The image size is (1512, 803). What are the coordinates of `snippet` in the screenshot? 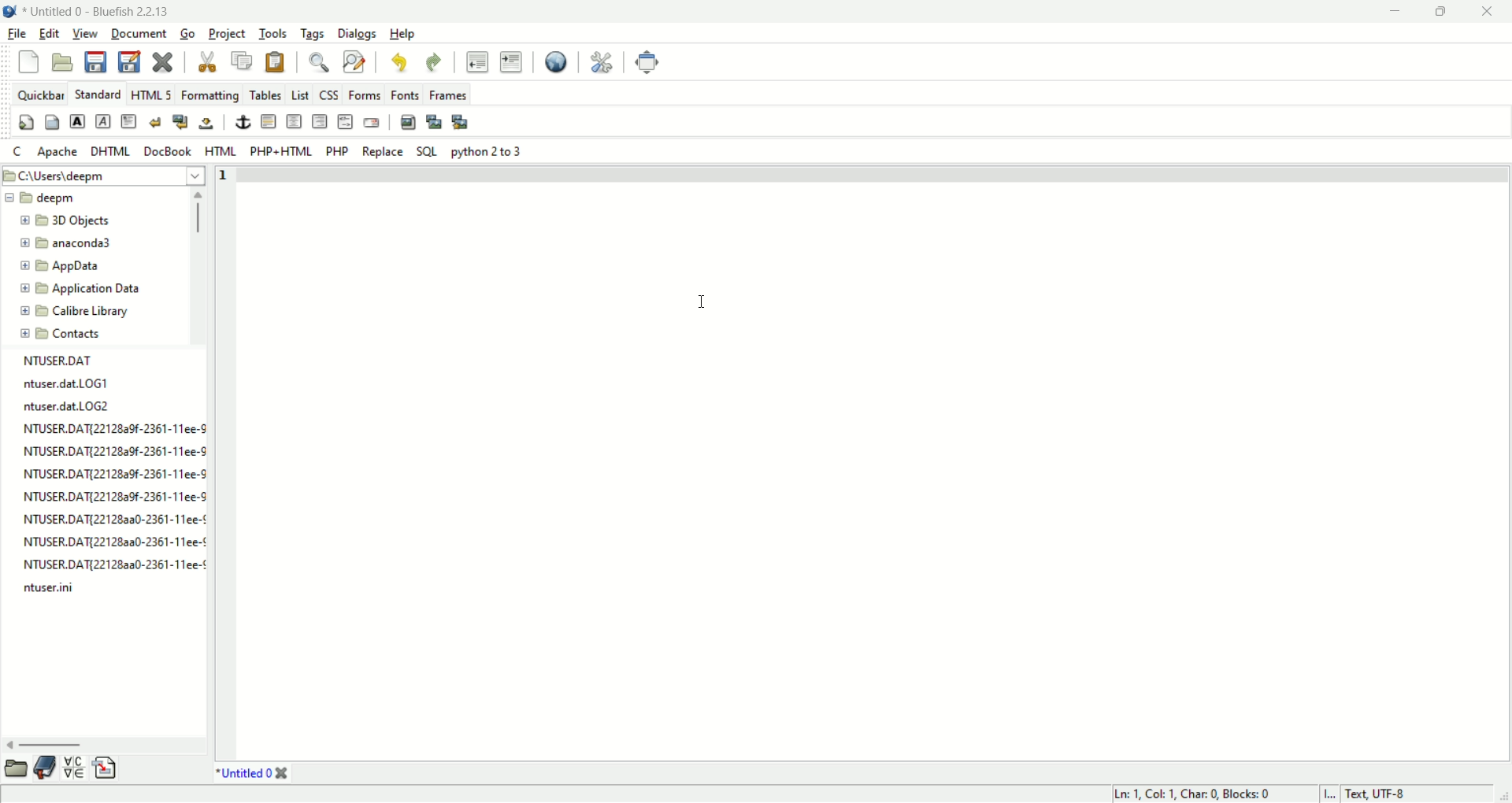 It's located at (106, 770).